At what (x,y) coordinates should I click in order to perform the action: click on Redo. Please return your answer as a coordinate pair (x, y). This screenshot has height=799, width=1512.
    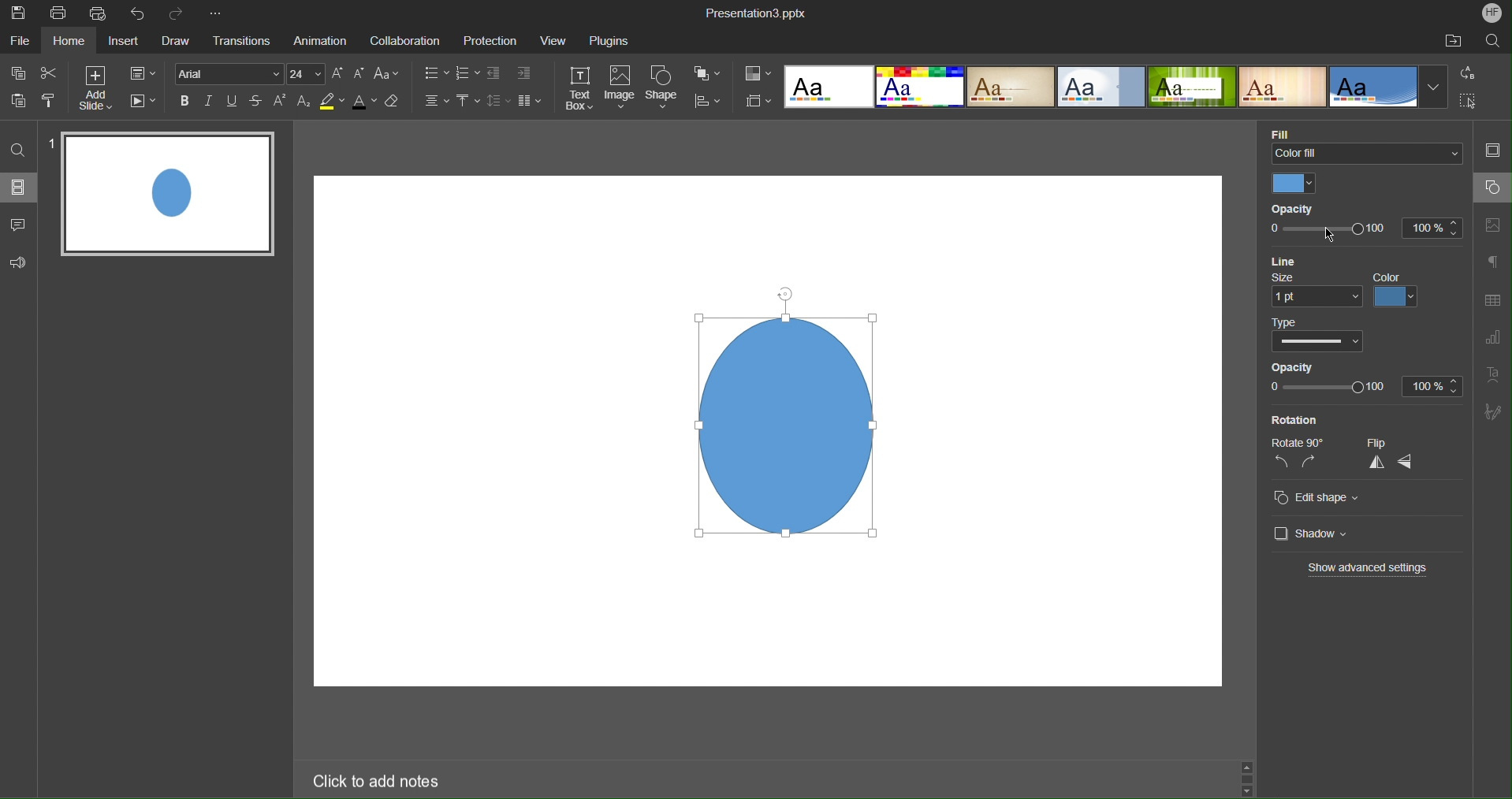
    Looking at the image, I should click on (179, 11).